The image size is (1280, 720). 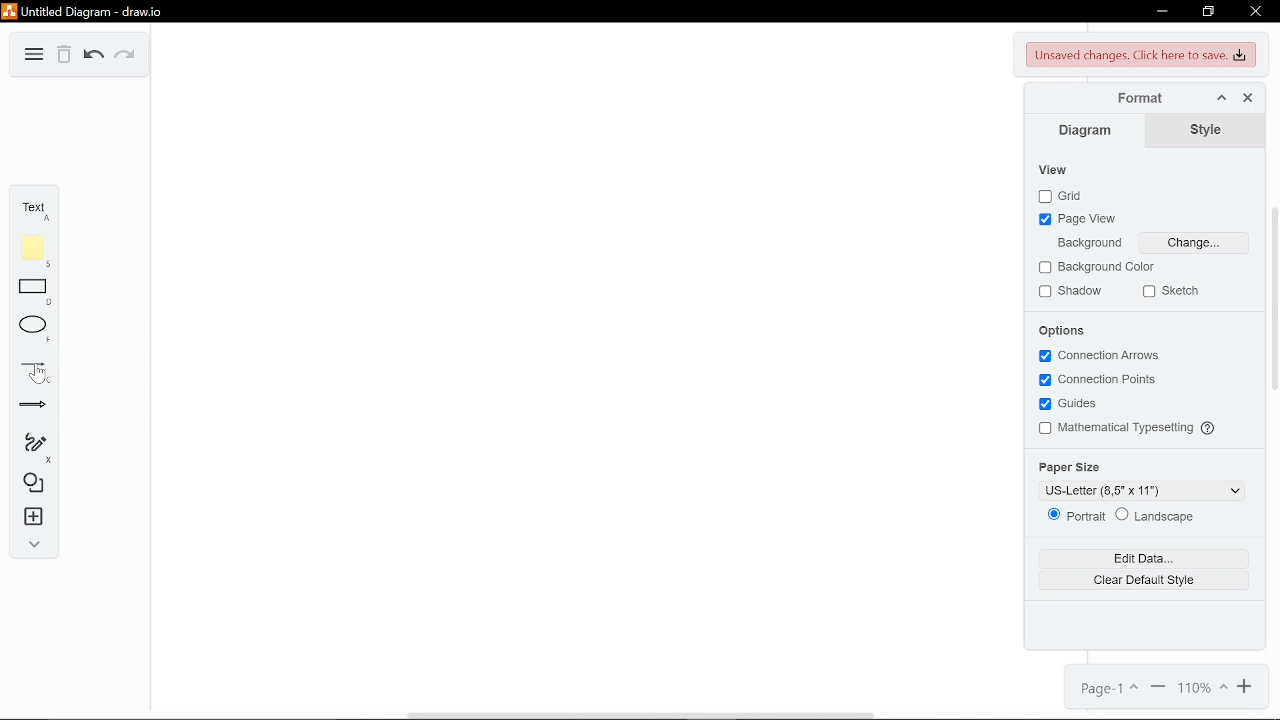 I want to click on Shapes, so click(x=33, y=485).